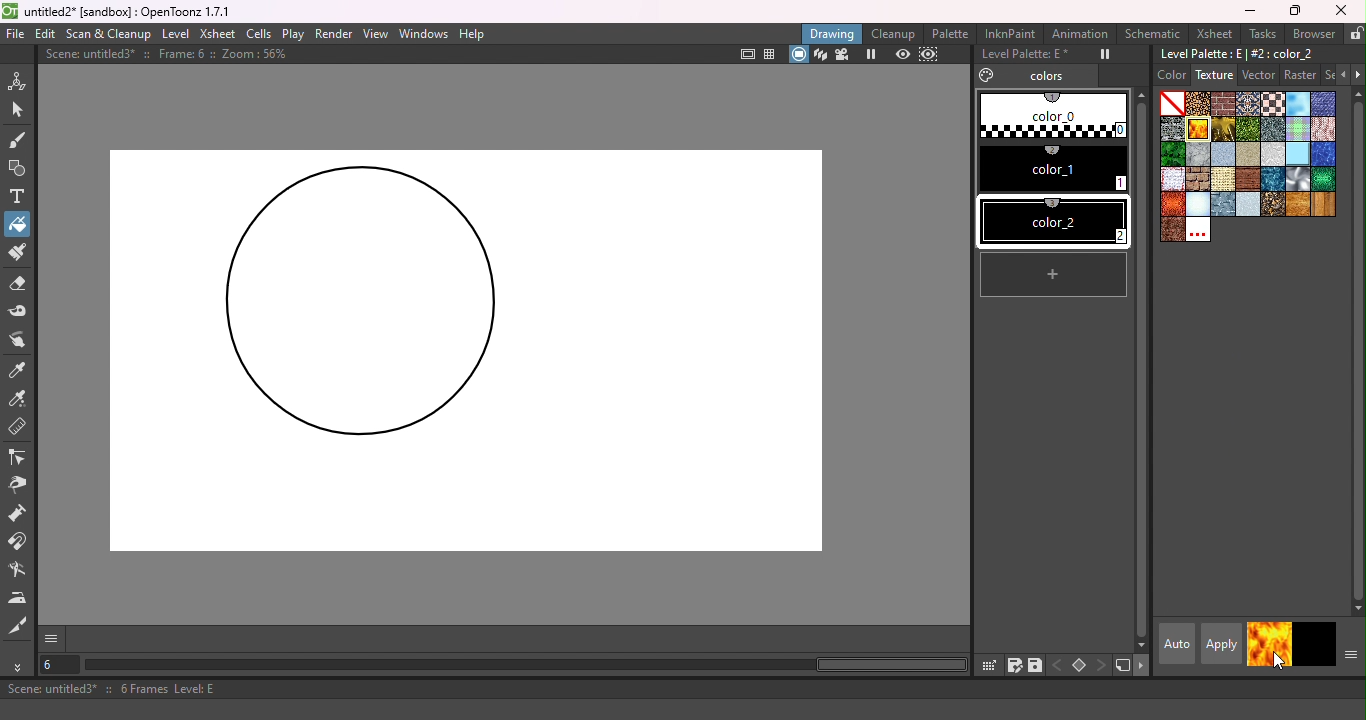 This screenshot has width=1366, height=720. I want to click on Windows, so click(424, 33).